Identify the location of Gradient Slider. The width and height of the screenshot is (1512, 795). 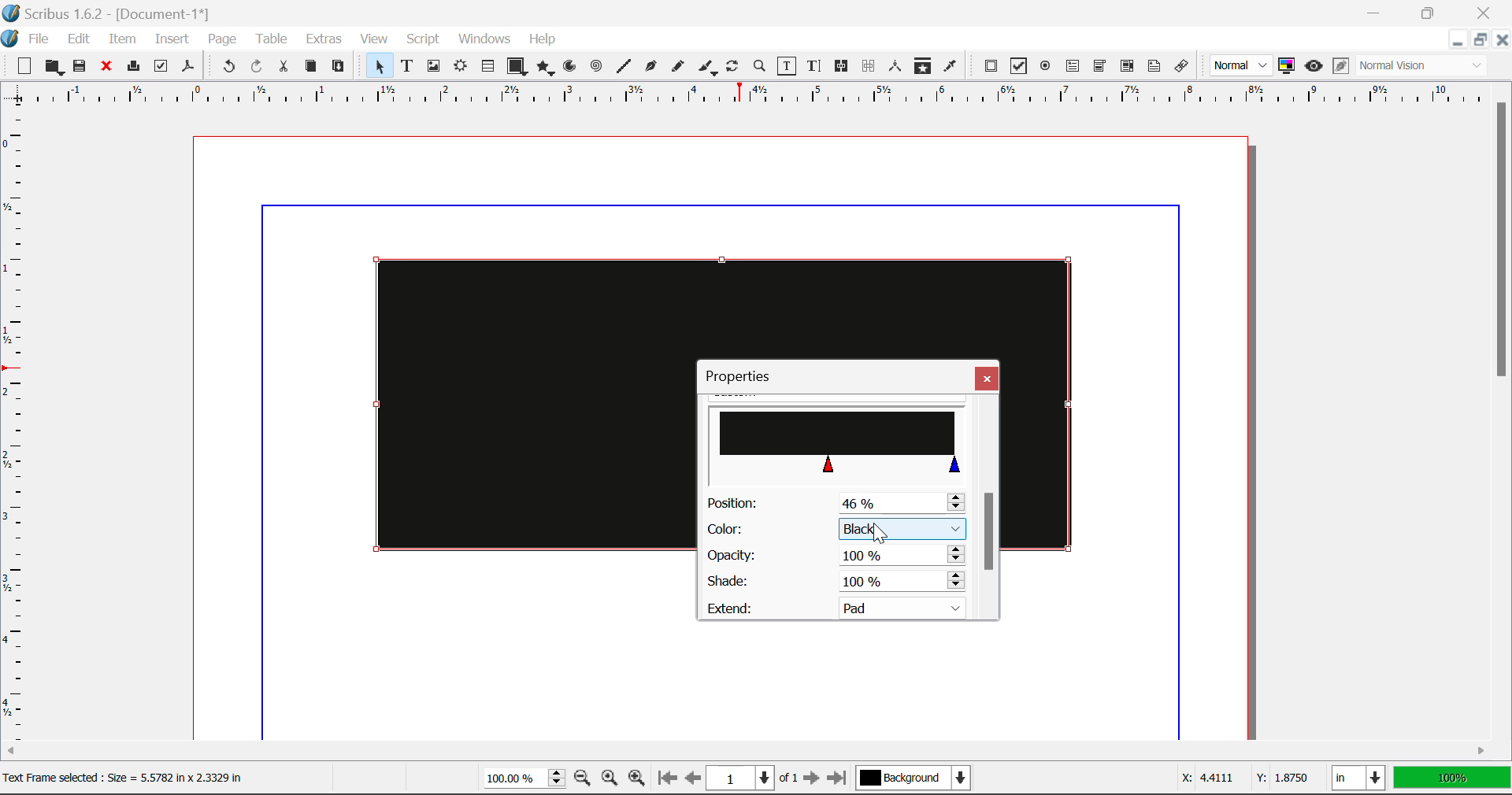
(837, 442).